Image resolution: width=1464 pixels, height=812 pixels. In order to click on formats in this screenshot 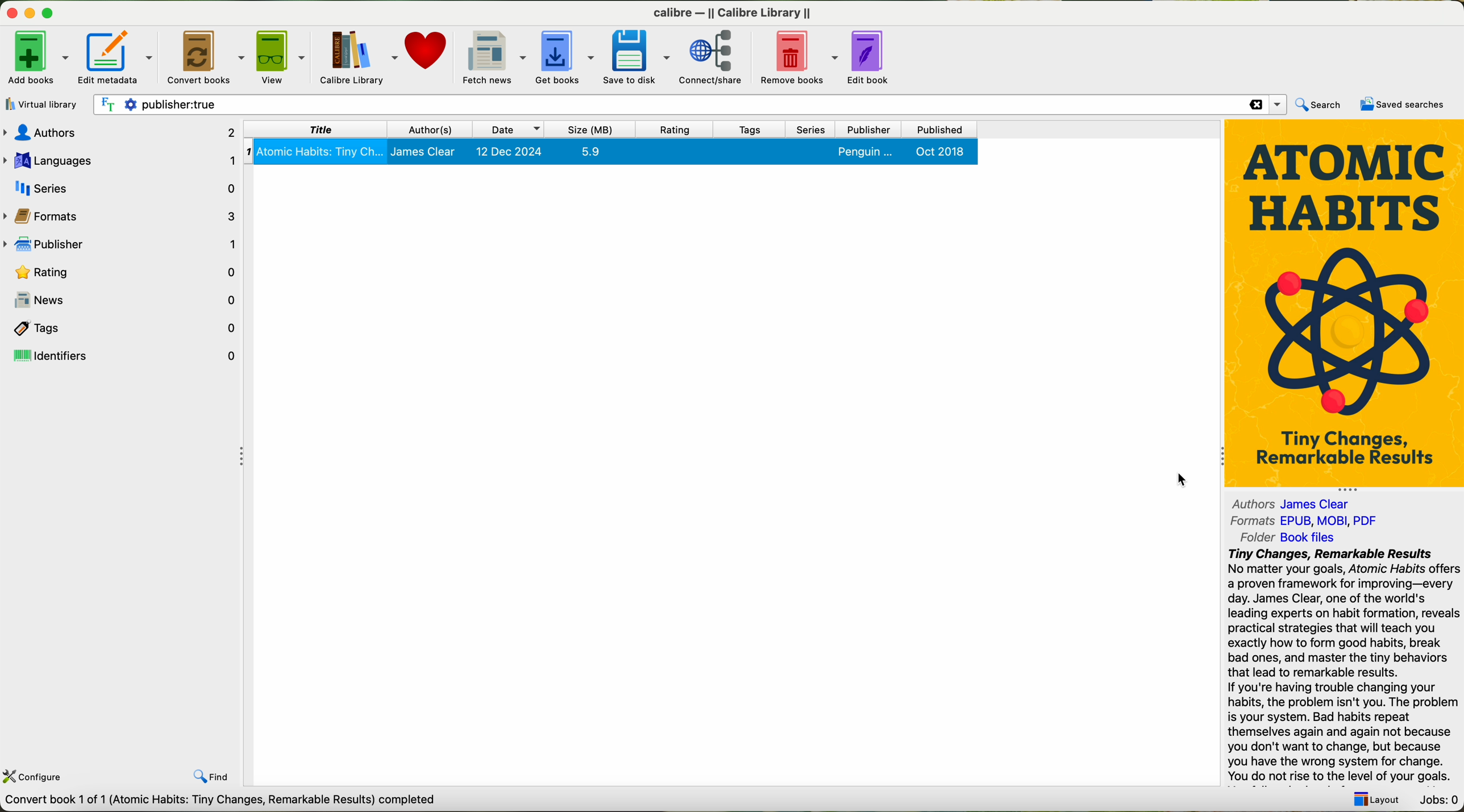, I will do `click(1305, 522)`.